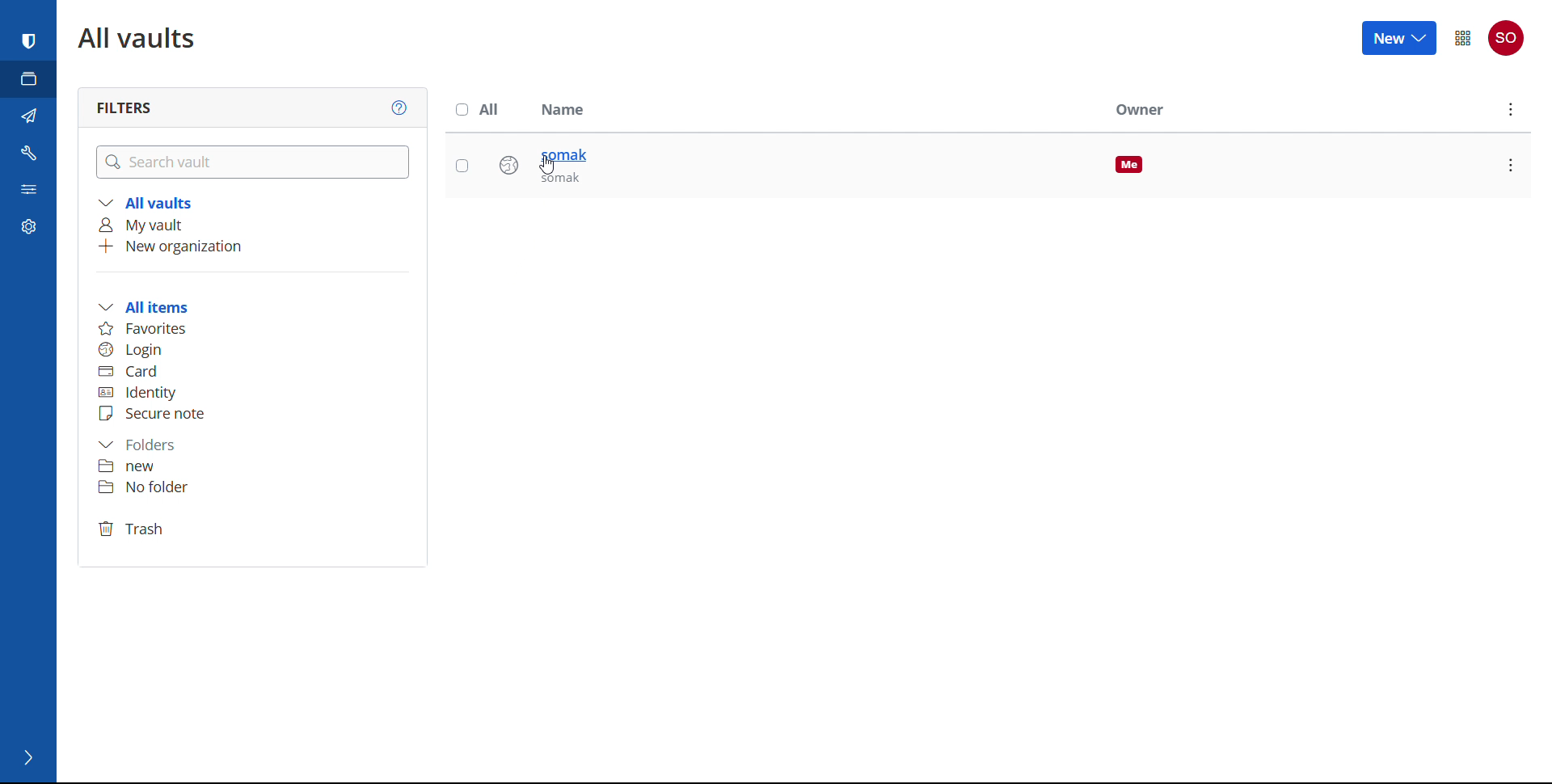  Describe the element at coordinates (1400, 37) in the screenshot. I see `new` at that location.